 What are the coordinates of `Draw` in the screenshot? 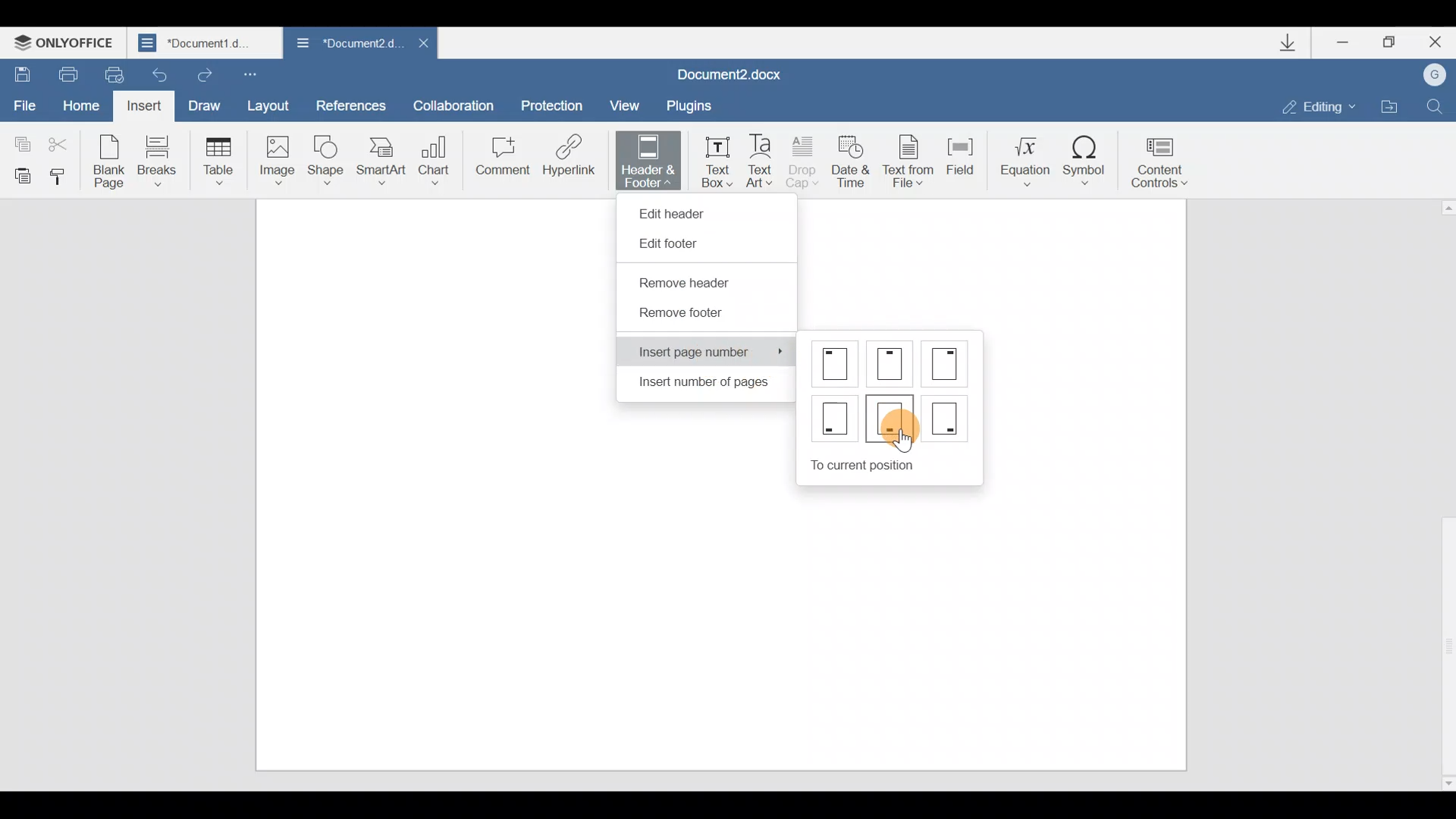 It's located at (209, 104).